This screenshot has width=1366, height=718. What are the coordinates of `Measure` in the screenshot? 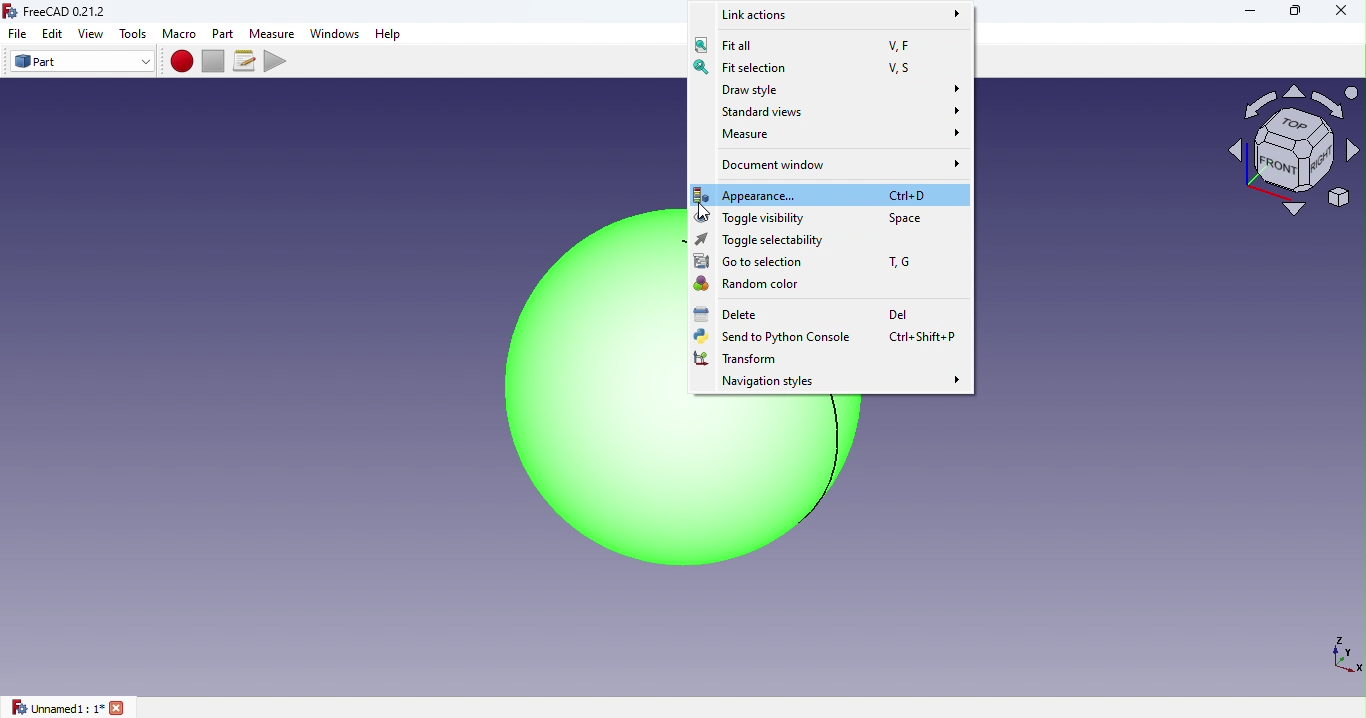 It's located at (831, 137).